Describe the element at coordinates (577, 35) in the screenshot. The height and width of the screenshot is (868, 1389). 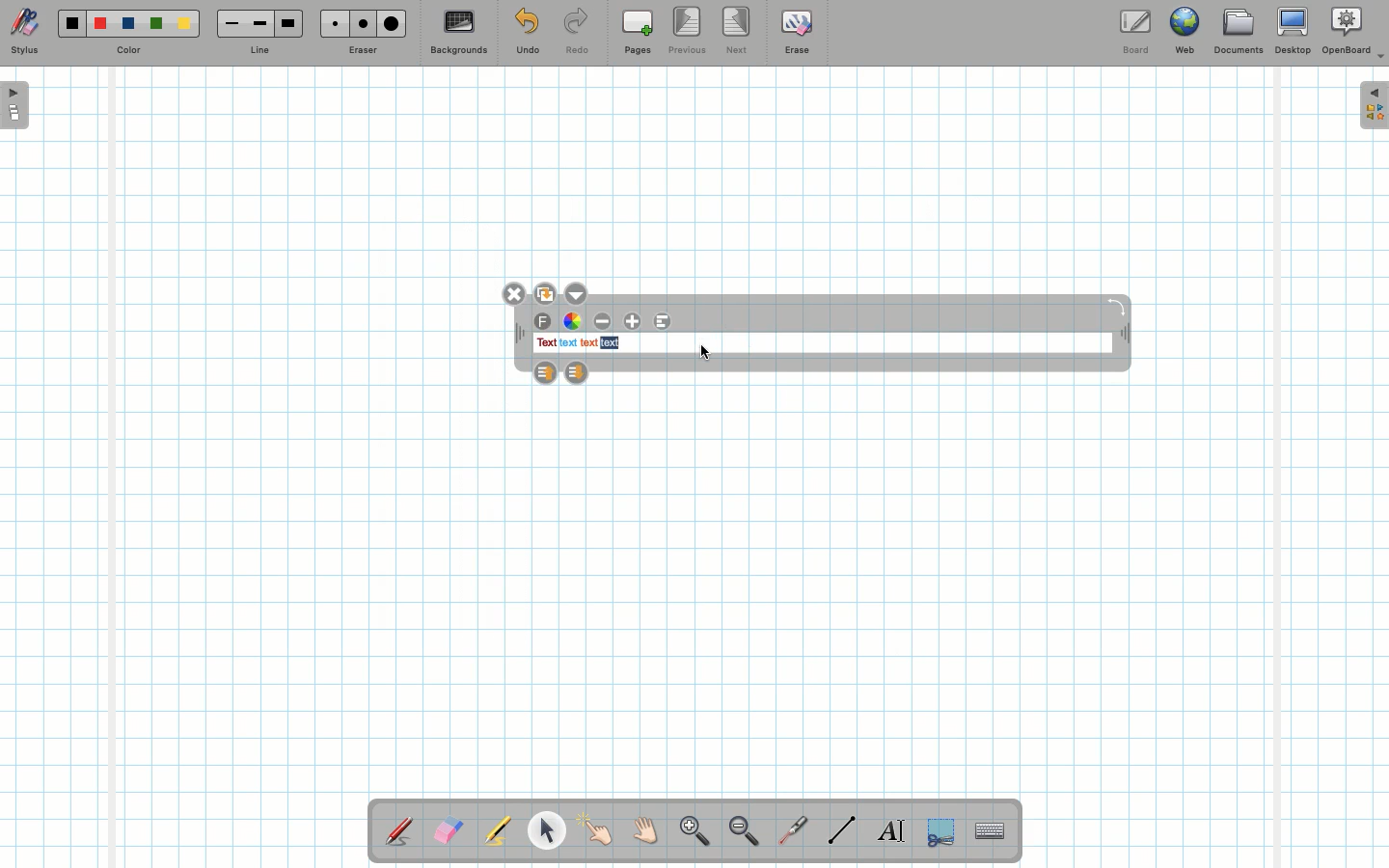
I see `Redo` at that location.